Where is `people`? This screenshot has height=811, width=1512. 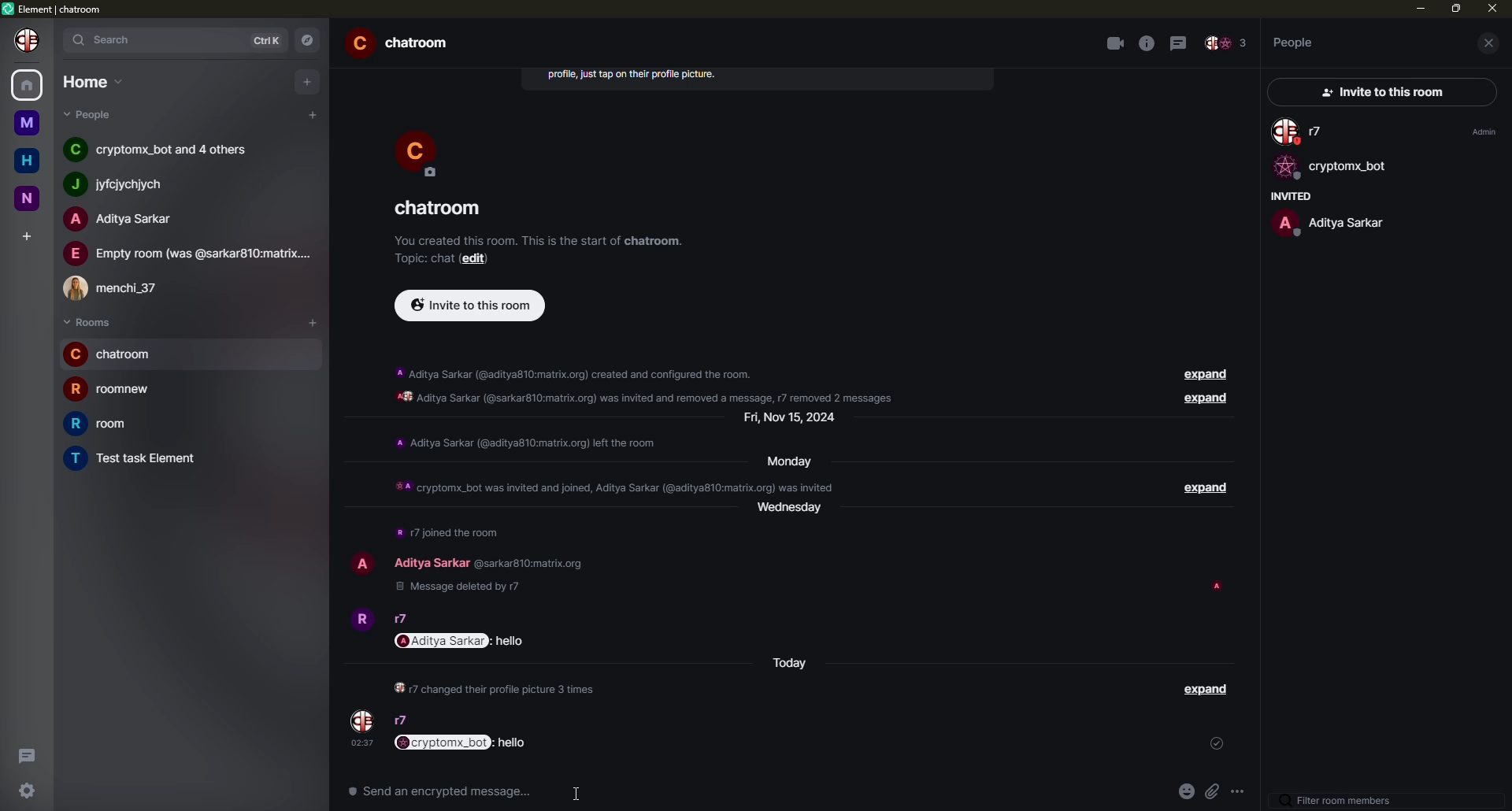
people is located at coordinates (97, 114).